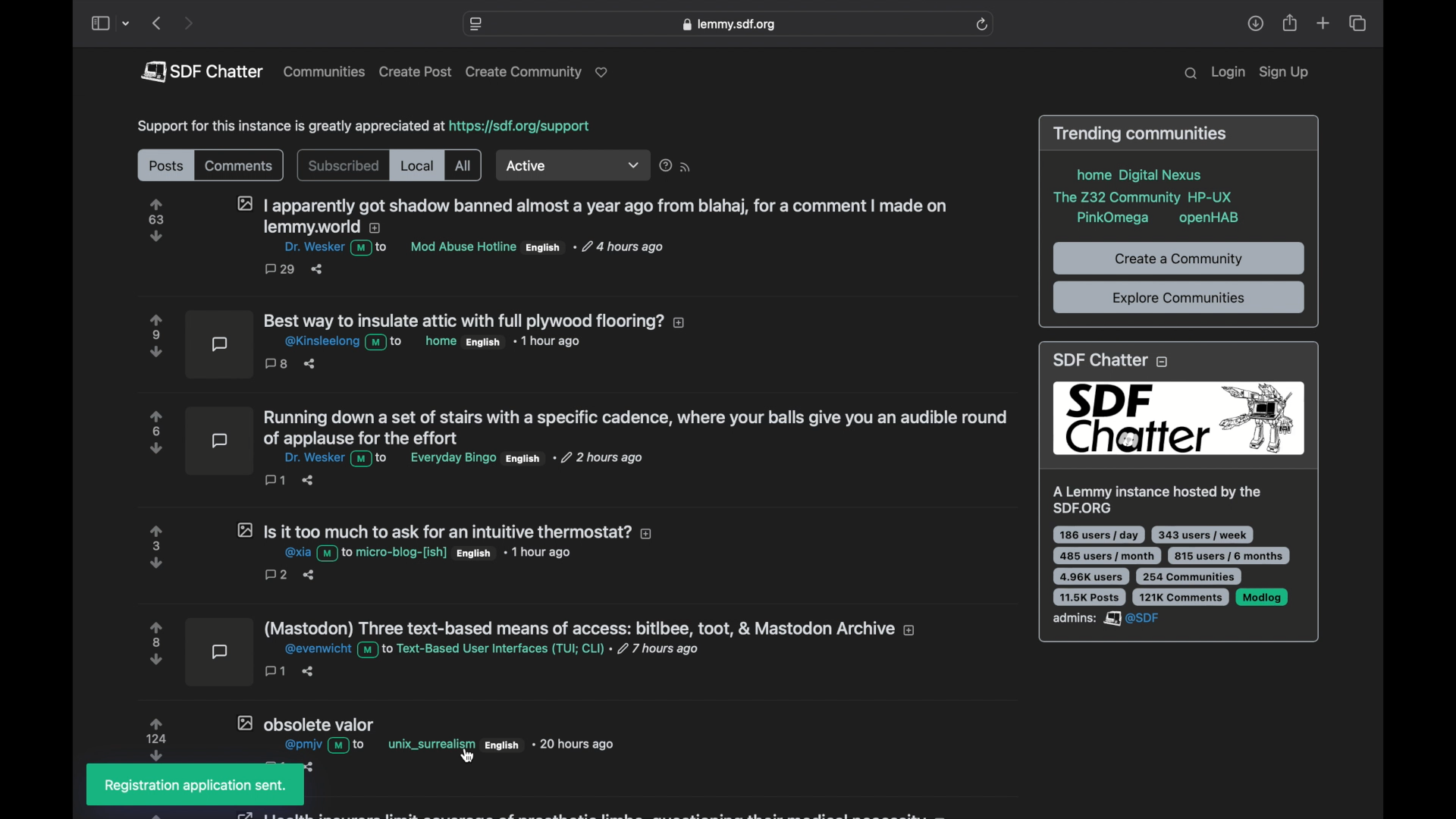 This screenshot has height=819, width=1456. I want to click on next page, so click(188, 24).